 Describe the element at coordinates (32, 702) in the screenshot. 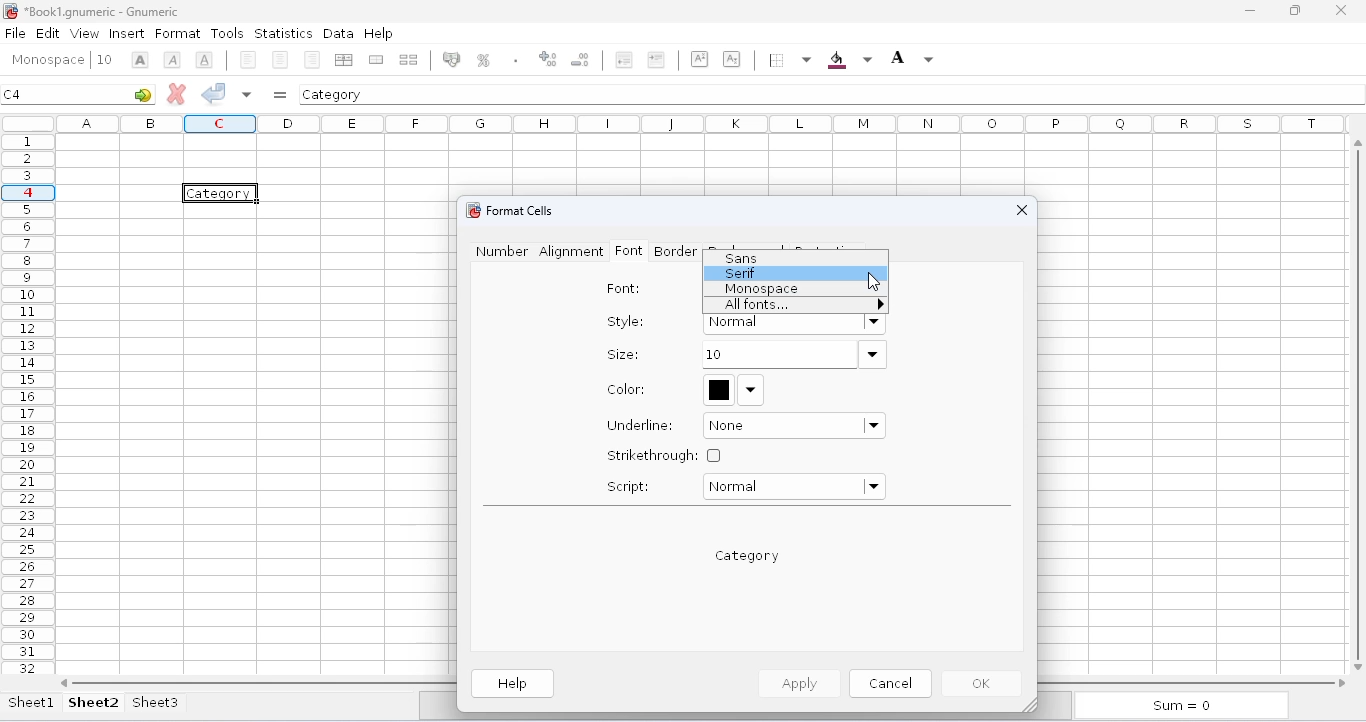

I see `sheet1` at that location.